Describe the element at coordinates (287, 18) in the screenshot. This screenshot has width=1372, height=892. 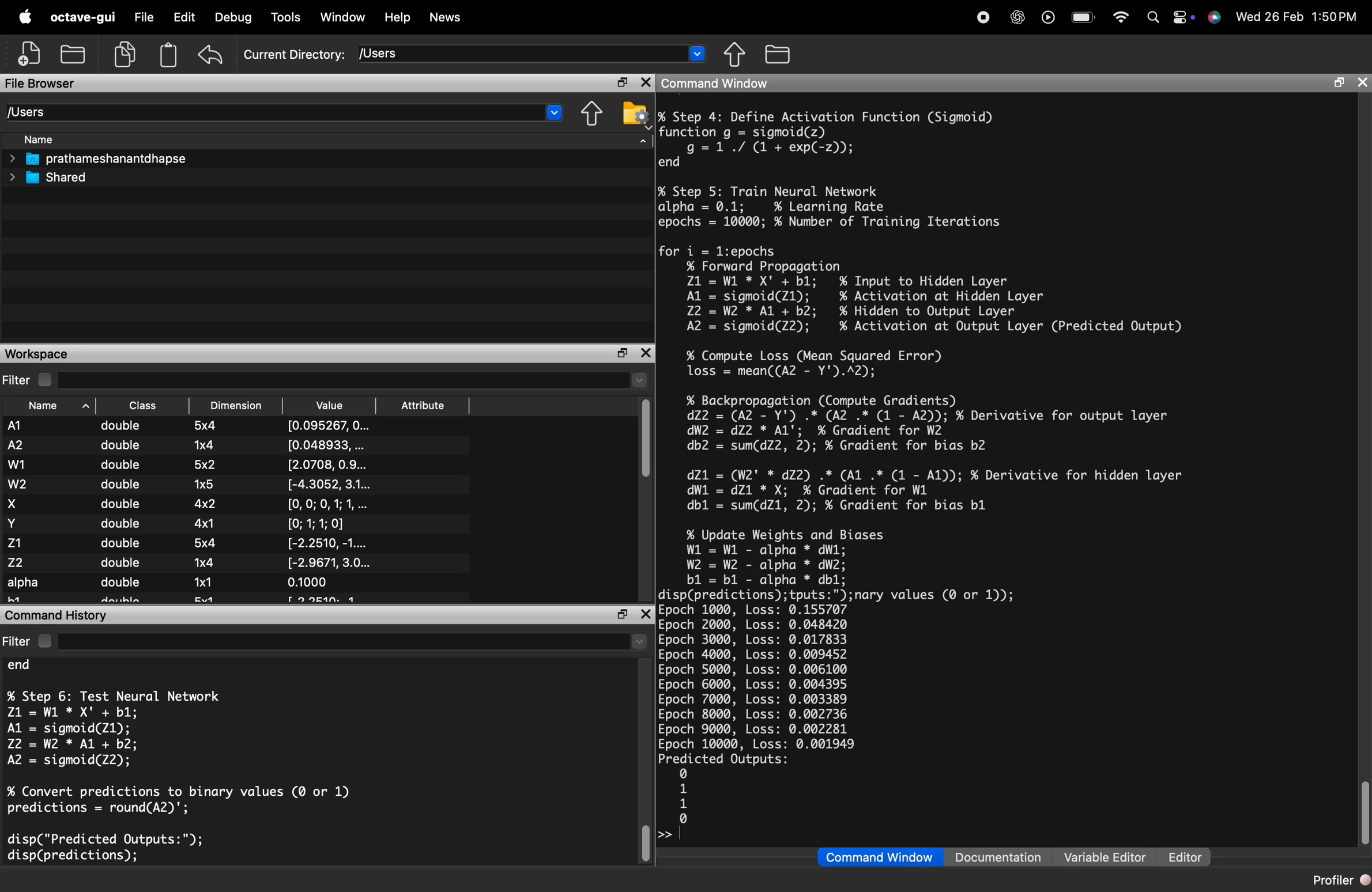
I see `Tools` at that location.